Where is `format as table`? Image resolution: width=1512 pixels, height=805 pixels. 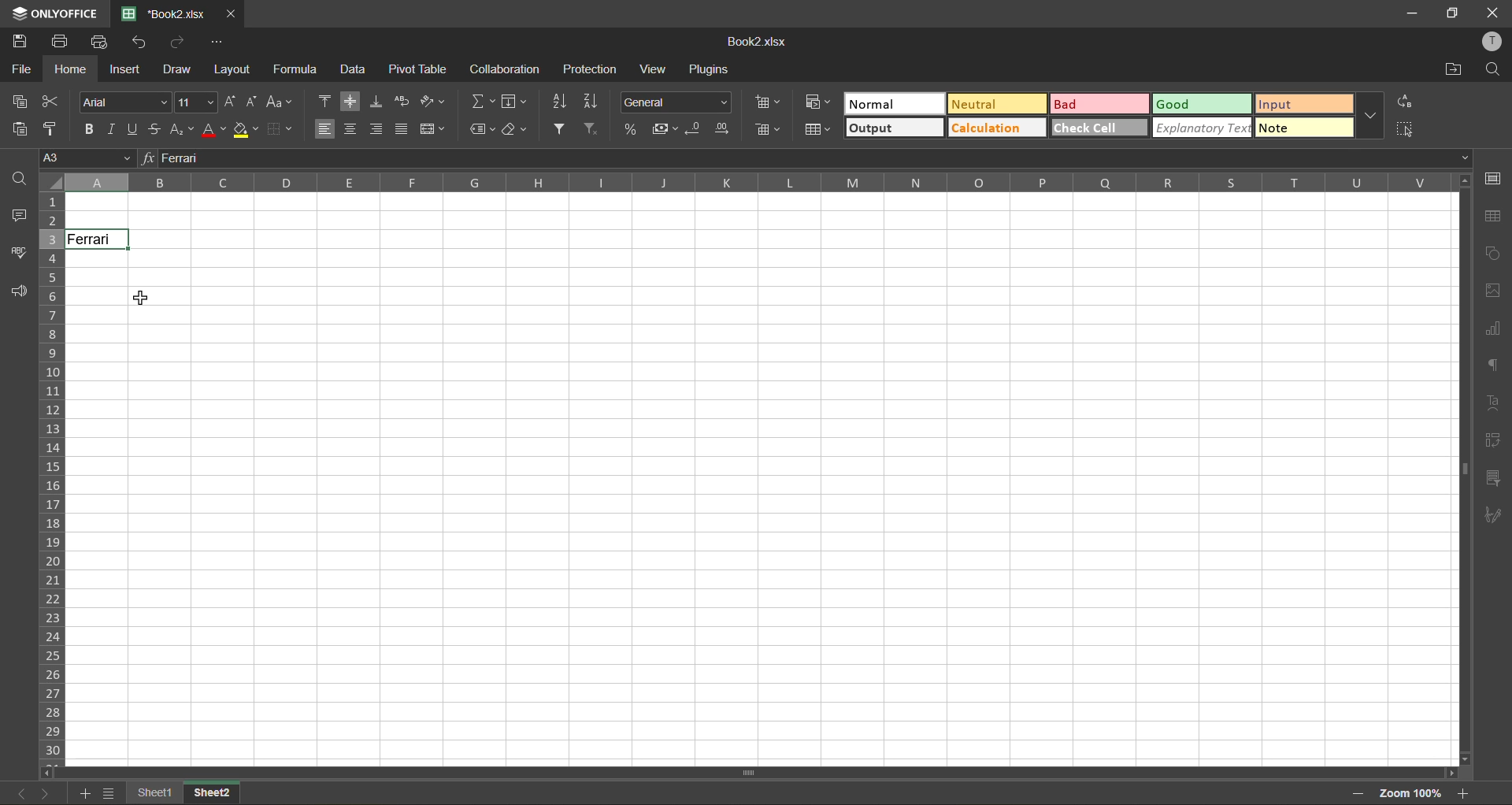 format as table is located at coordinates (817, 131).